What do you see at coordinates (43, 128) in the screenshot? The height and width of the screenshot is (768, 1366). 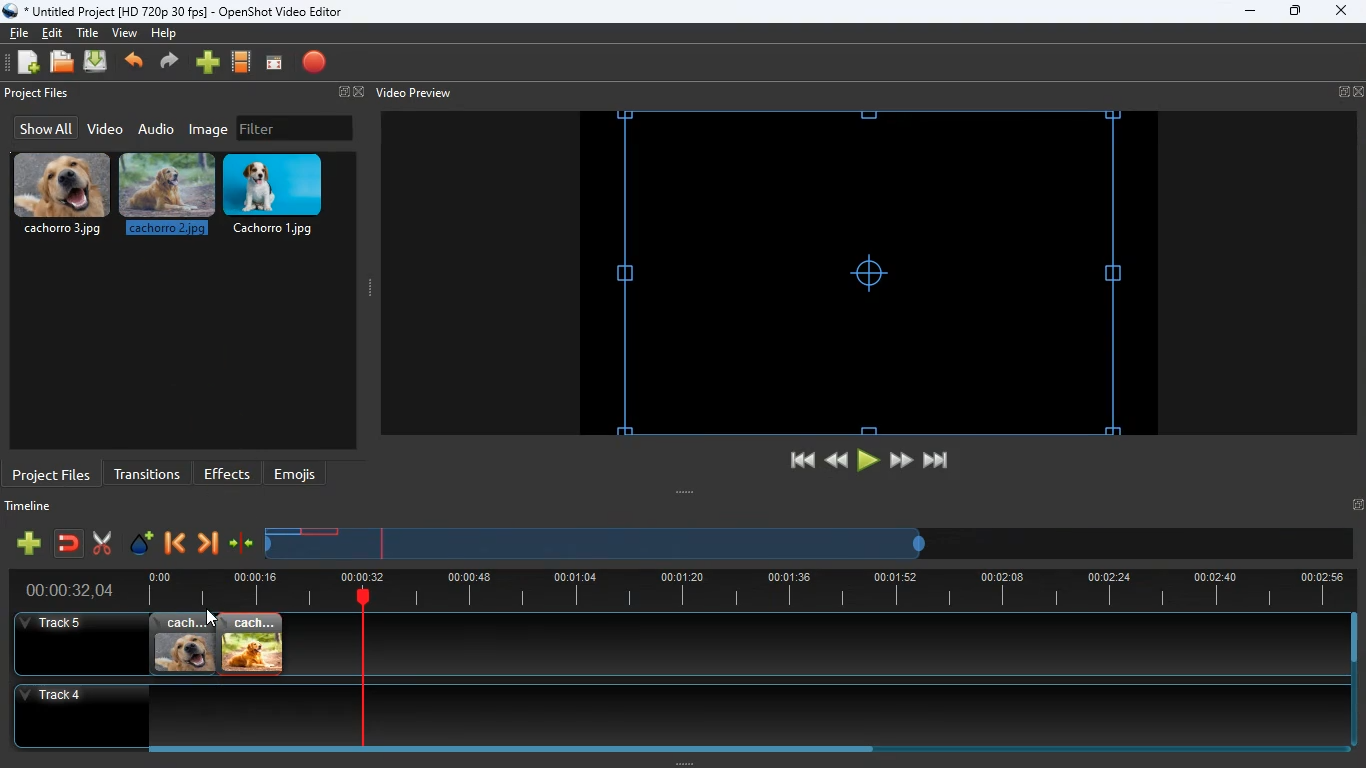 I see `show all` at bounding box center [43, 128].